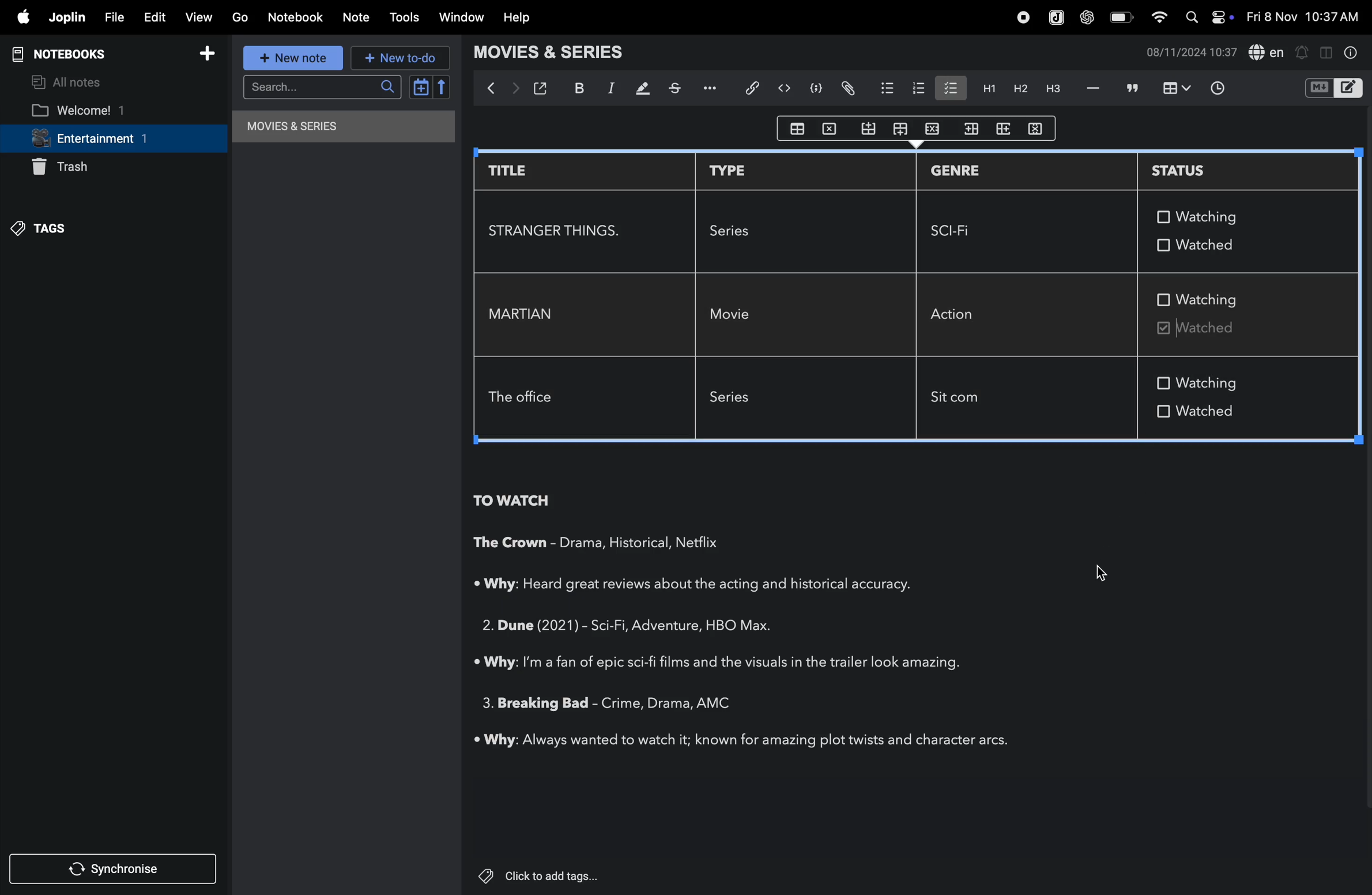 This screenshot has height=895, width=1372. What do you see at coordinates (427, 87) in the screenshot?
I see `calendar` at bounding box center [427, 87].